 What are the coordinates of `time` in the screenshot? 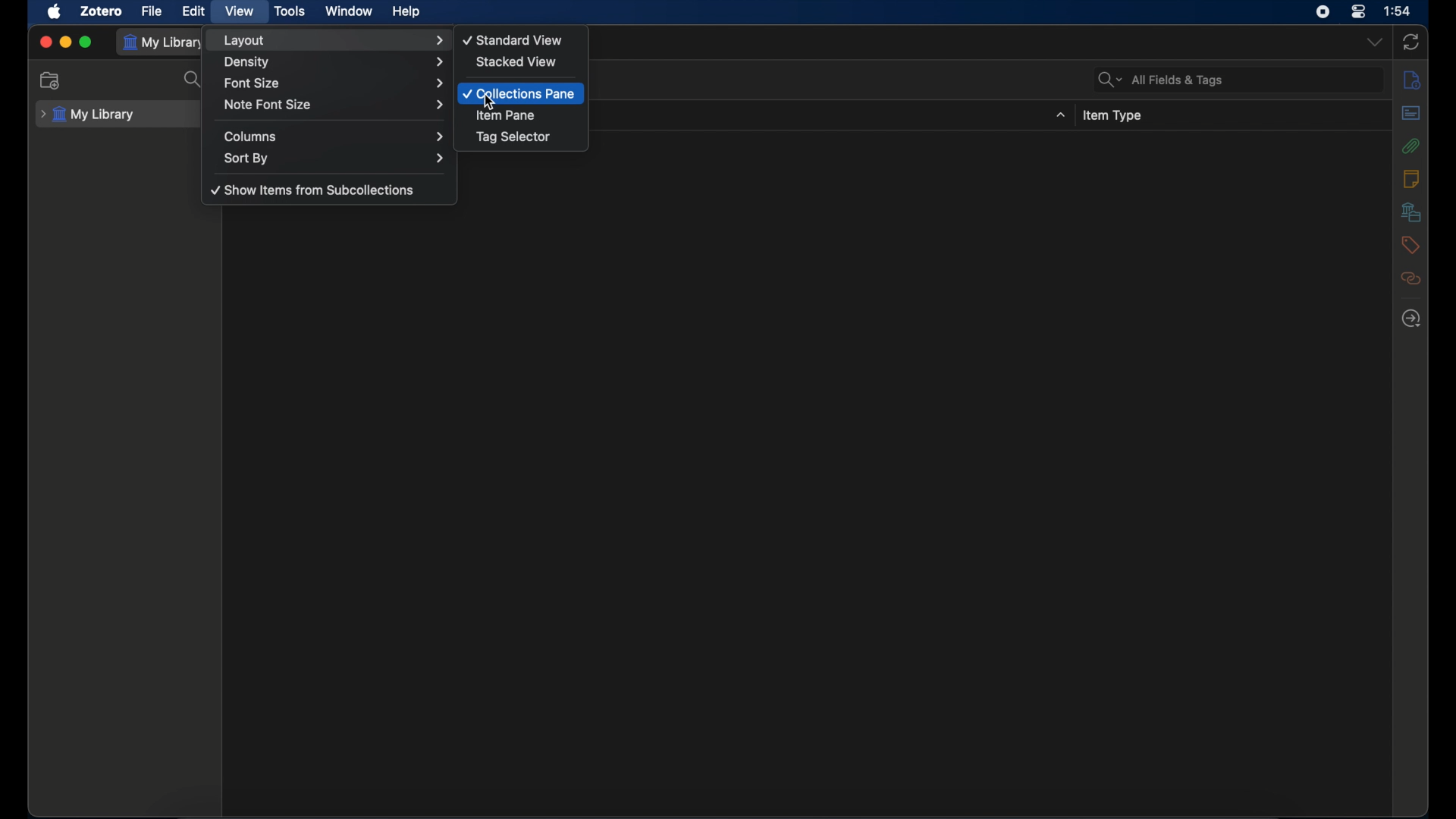 It's located at (1398, 11).